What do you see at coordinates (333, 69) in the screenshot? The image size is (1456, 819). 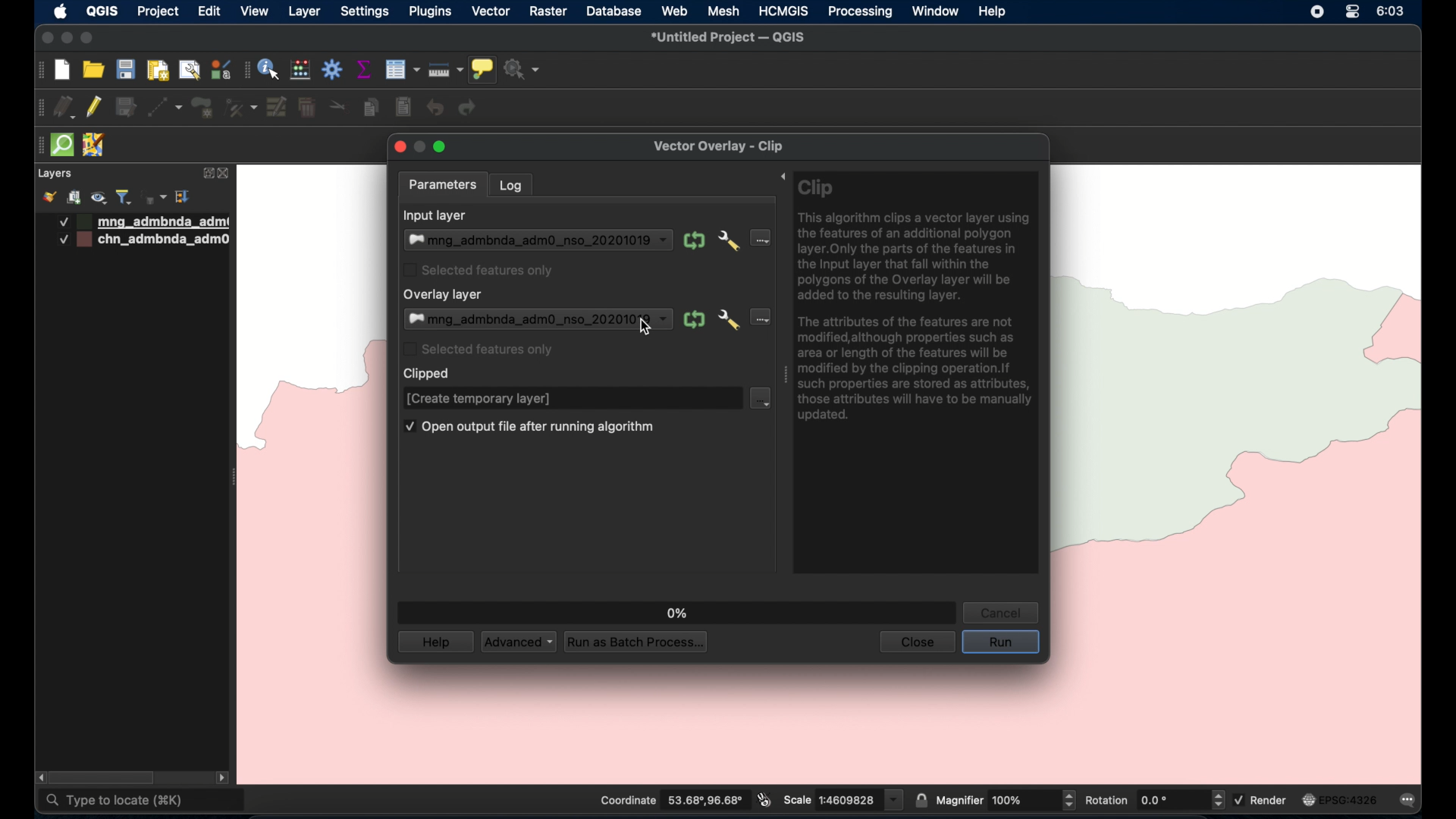 I see `toolbox` at bounding box center [333, 69].